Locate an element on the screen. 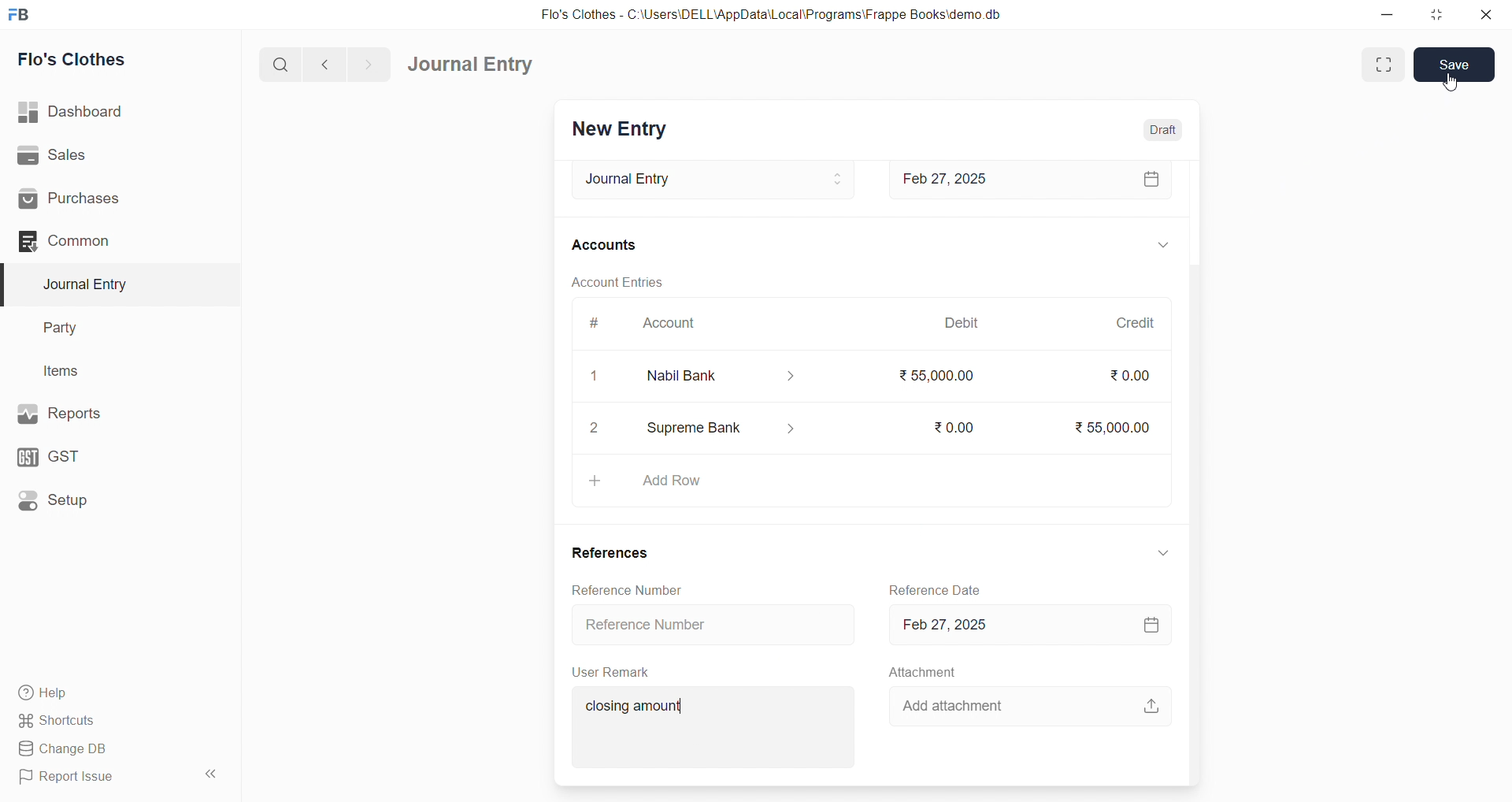 This screenshot has height=802, width=1512. GST is located at coordinates (86, 457).